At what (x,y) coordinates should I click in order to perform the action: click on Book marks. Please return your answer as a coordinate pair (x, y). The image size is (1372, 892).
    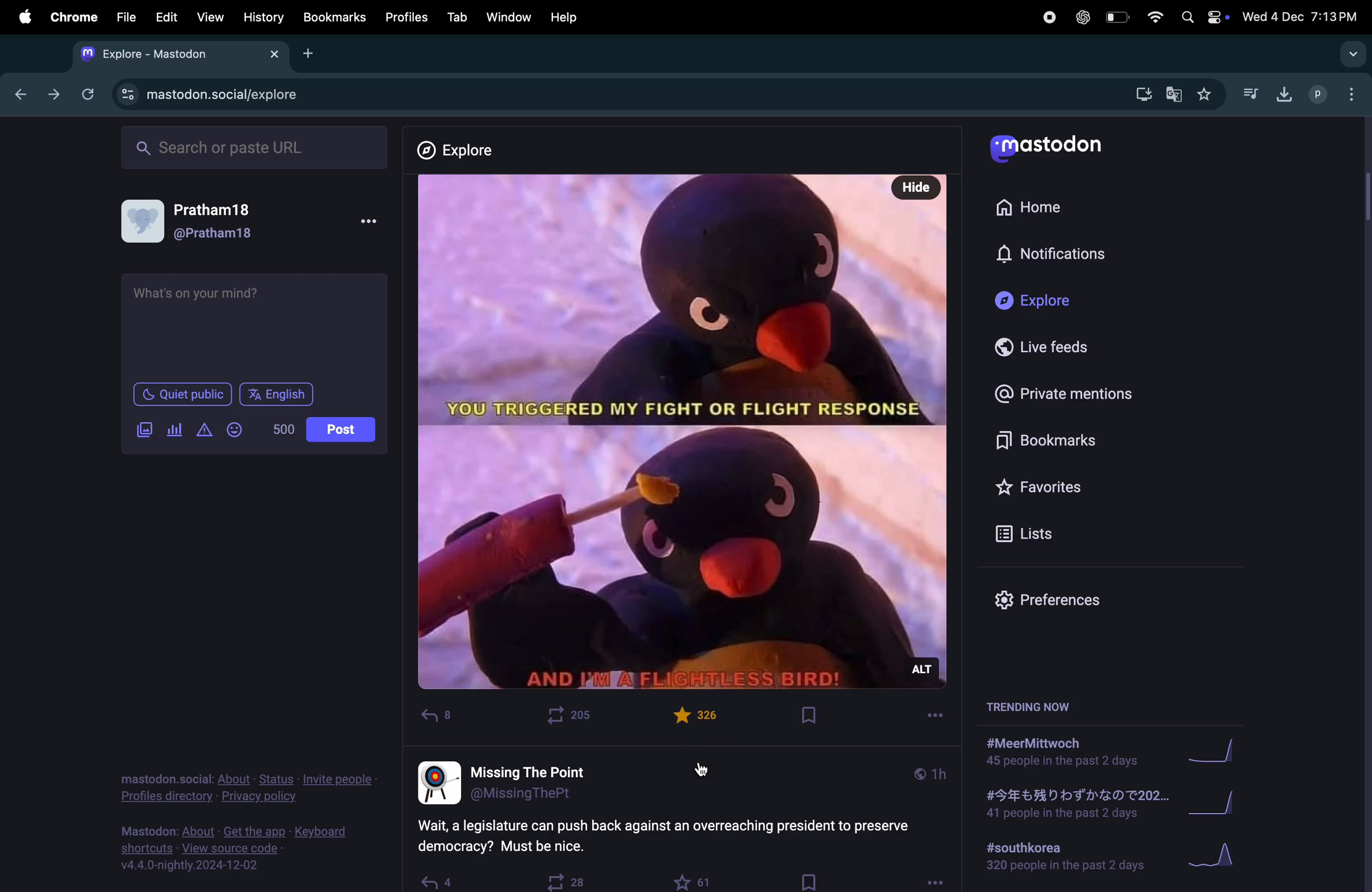
    Looking at the image, I should click on (335, 14).